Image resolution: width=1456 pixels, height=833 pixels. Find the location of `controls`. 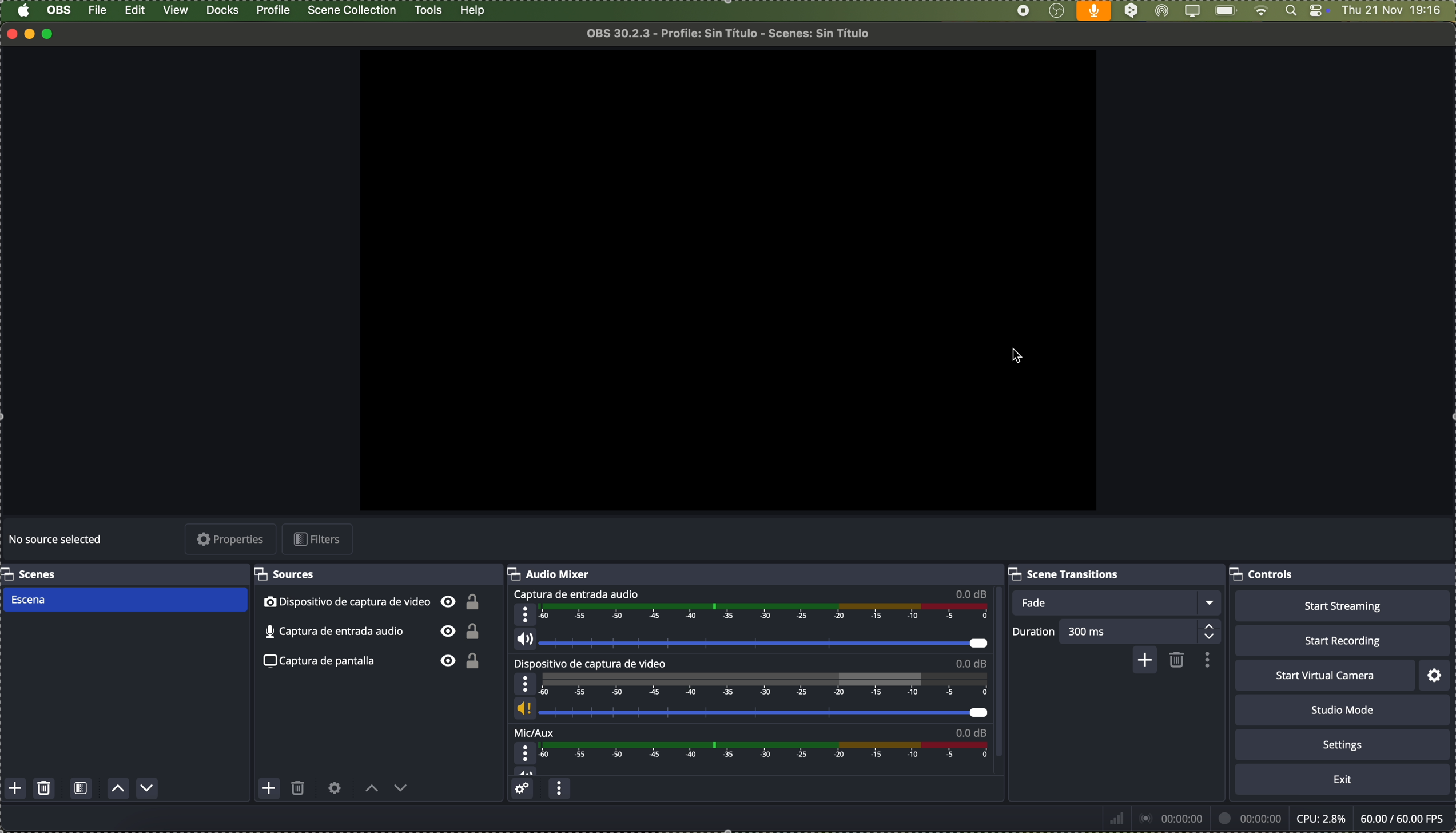

controls is located at coordinates (1264, 576).